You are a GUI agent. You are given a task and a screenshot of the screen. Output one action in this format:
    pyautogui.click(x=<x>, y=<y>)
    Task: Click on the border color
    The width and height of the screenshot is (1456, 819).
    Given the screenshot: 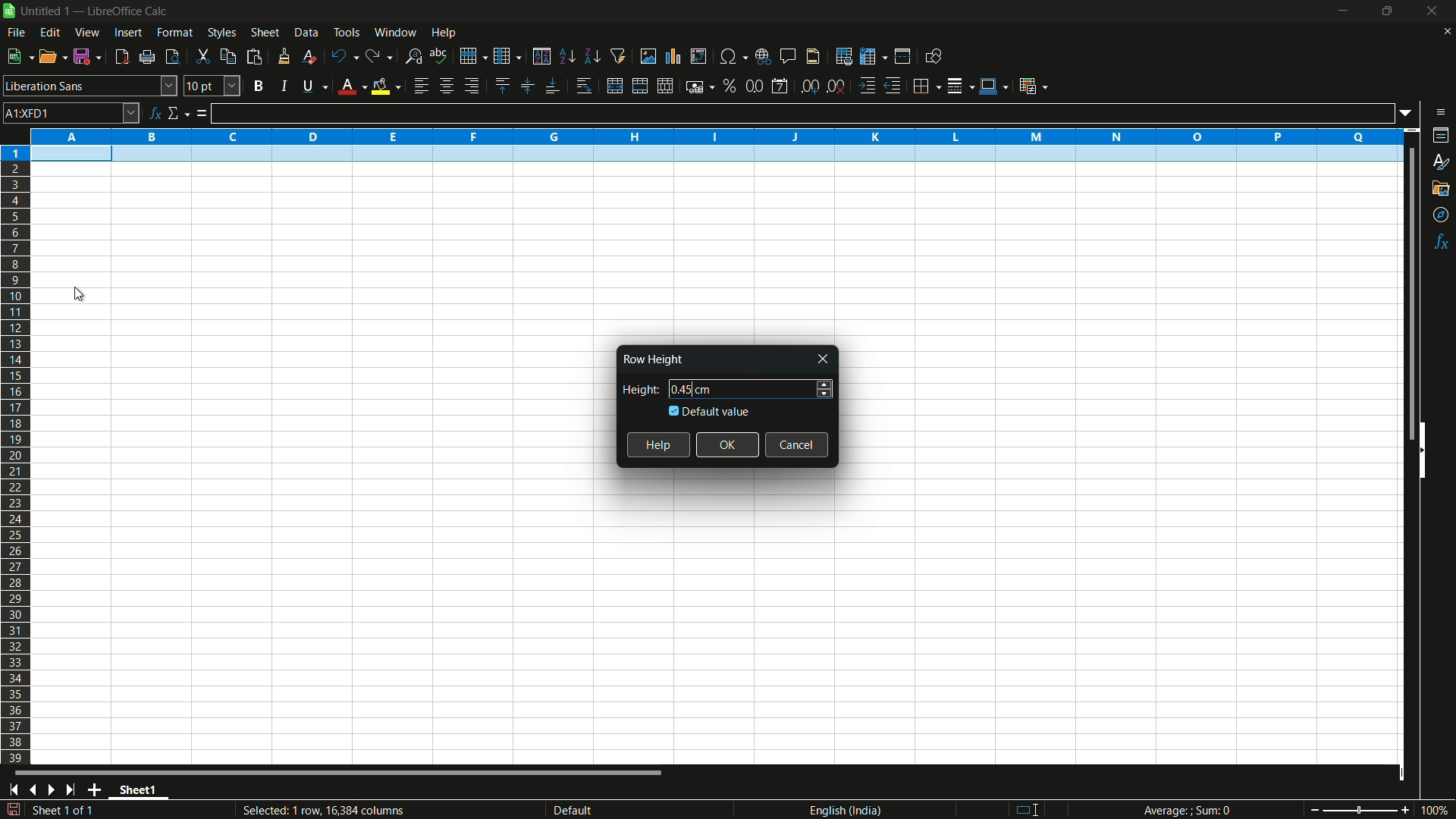 What is the action you would take?
    pyautogui.click(x=993, y=83)
    